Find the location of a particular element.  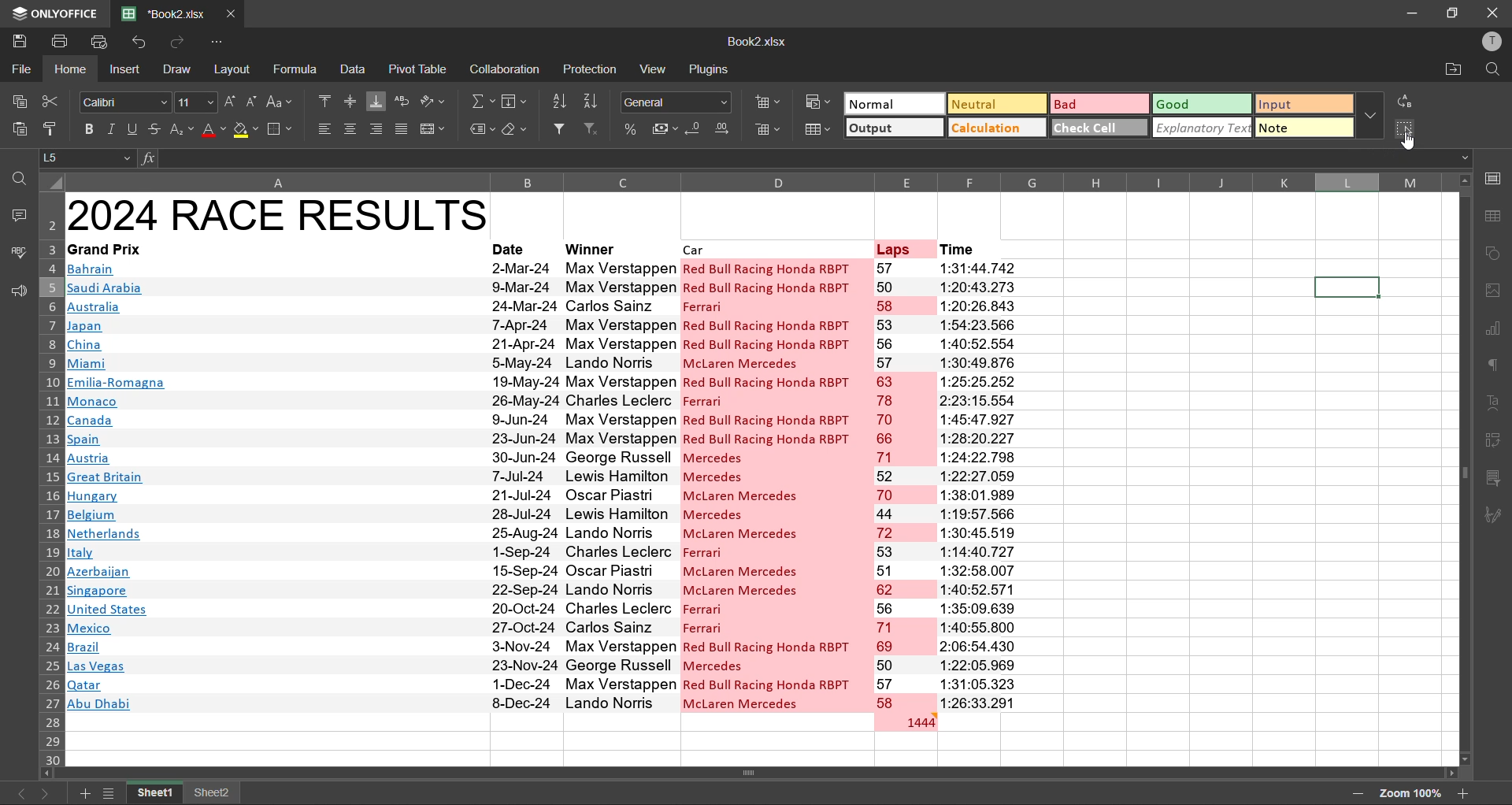

orientation is located at coordinates (435, 103).